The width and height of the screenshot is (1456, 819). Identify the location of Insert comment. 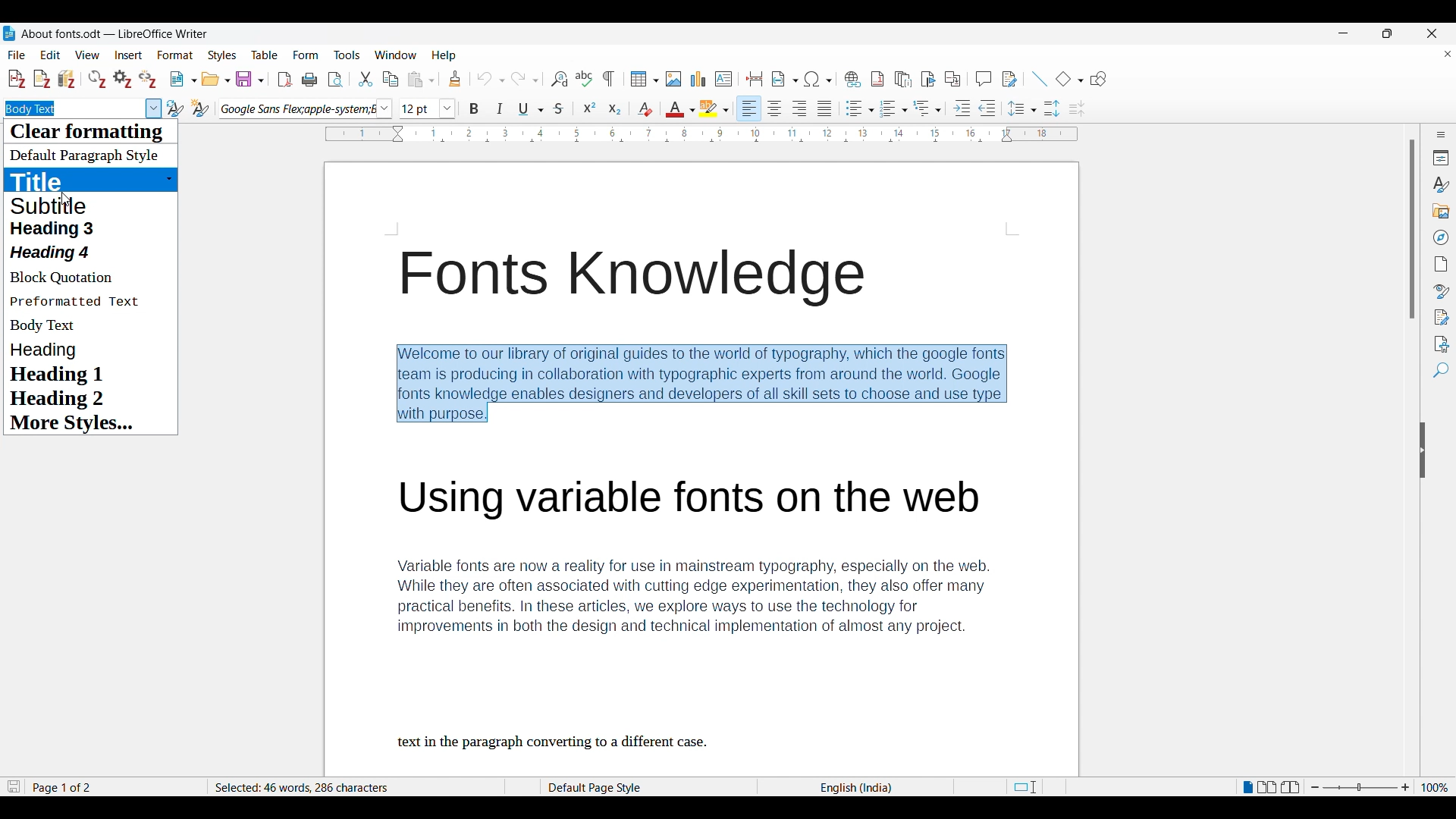
(984, 79).